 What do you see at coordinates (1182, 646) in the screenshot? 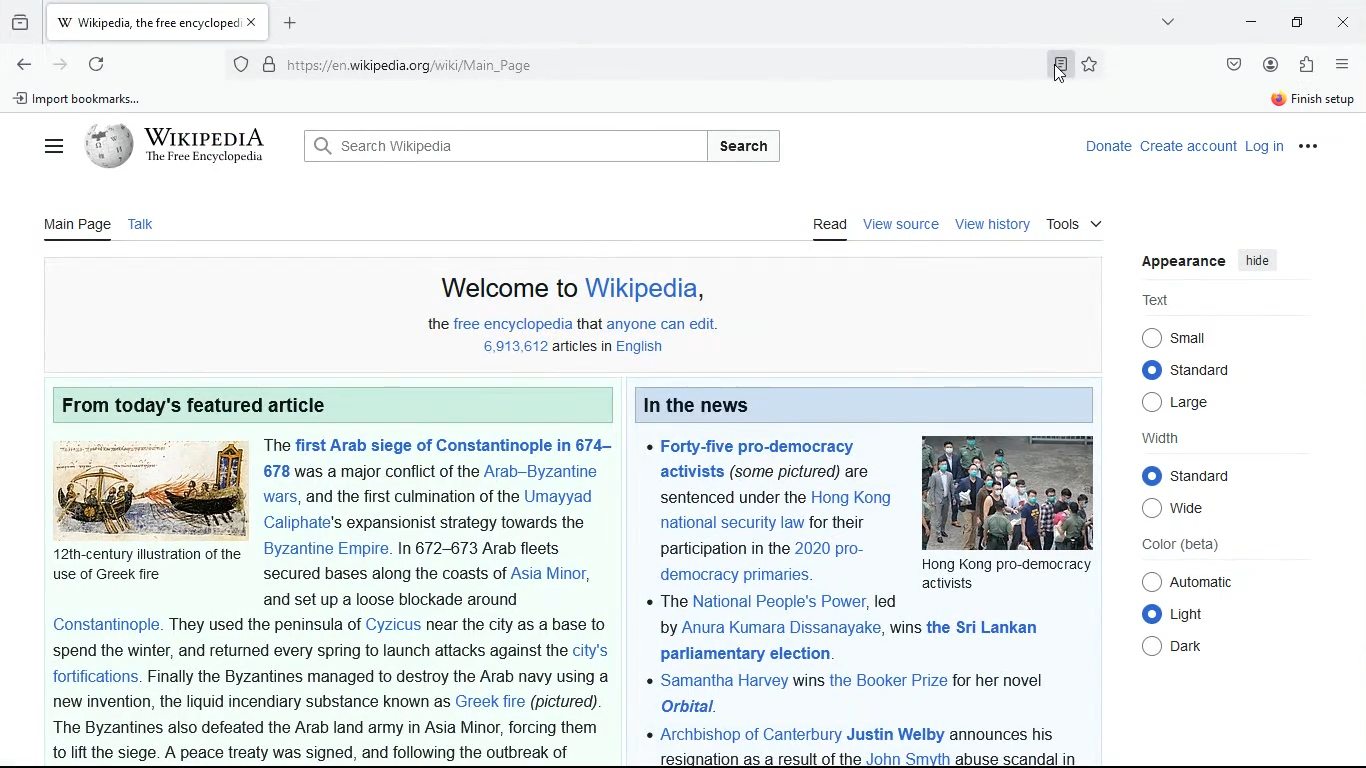
I see `dark` at bounding box center [1182, 646].